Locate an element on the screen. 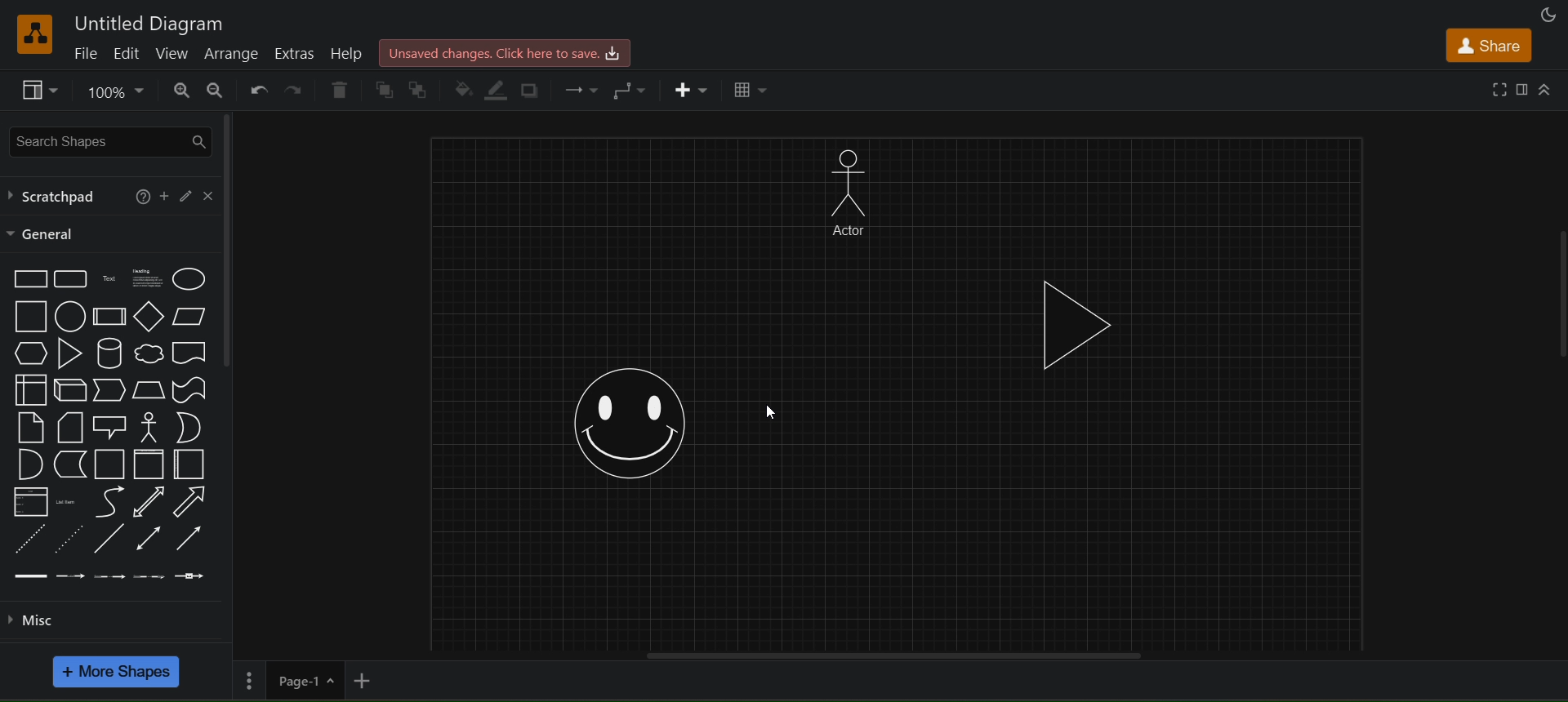  directional connector is located at coordinates (193, 539).